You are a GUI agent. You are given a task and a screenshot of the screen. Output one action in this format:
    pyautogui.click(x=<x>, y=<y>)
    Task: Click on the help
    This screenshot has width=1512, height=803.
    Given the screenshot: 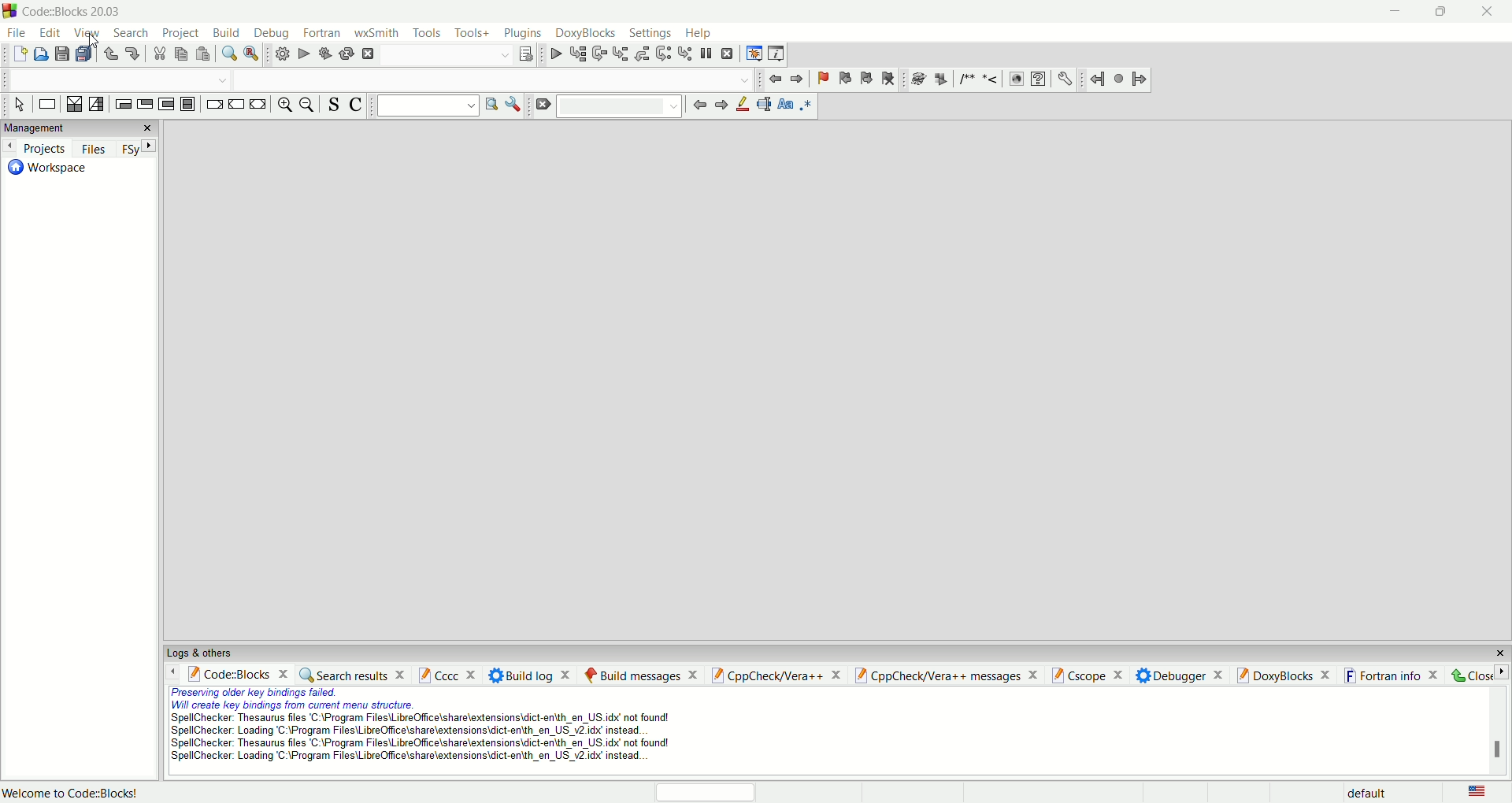 What is the action you would take?
    pyautogui.click(x=697, y=31)
    